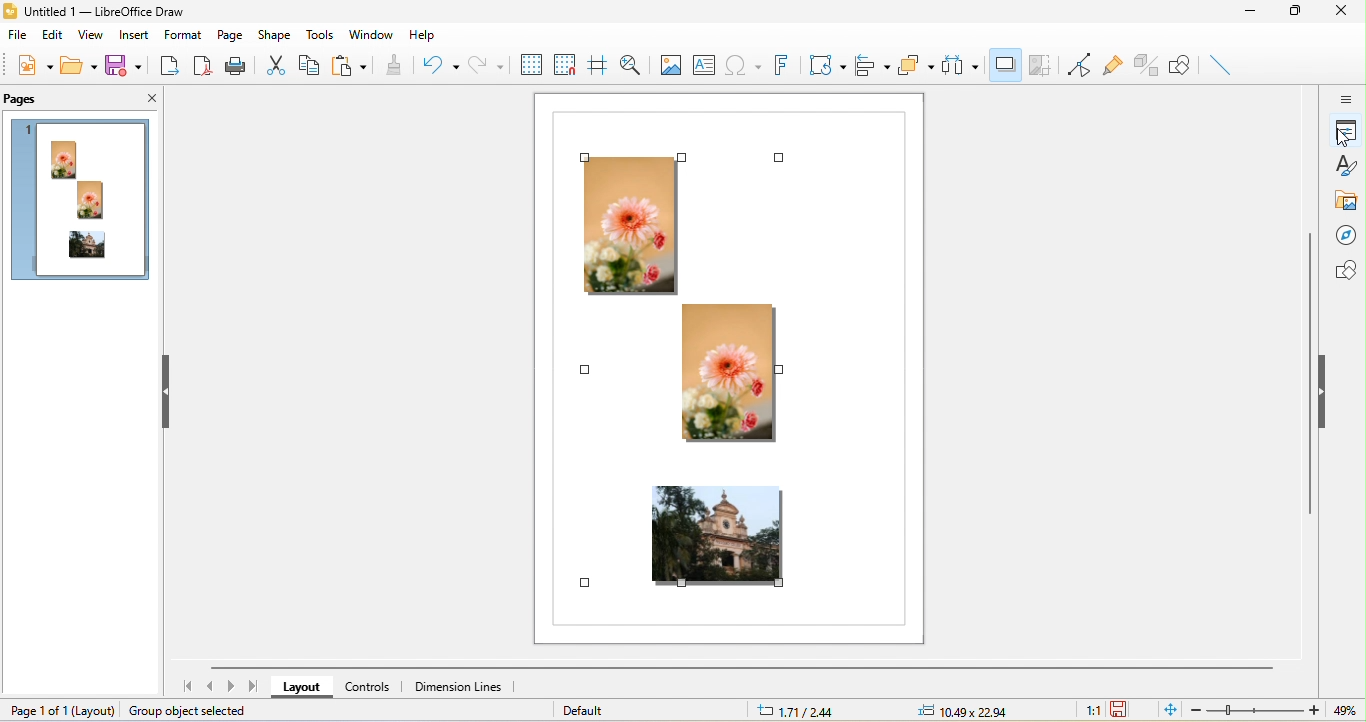 This screenshot has width=1366, height=722. Describe the element at coordinates (233, 687) in the screenshot. I see `next page` at that location.